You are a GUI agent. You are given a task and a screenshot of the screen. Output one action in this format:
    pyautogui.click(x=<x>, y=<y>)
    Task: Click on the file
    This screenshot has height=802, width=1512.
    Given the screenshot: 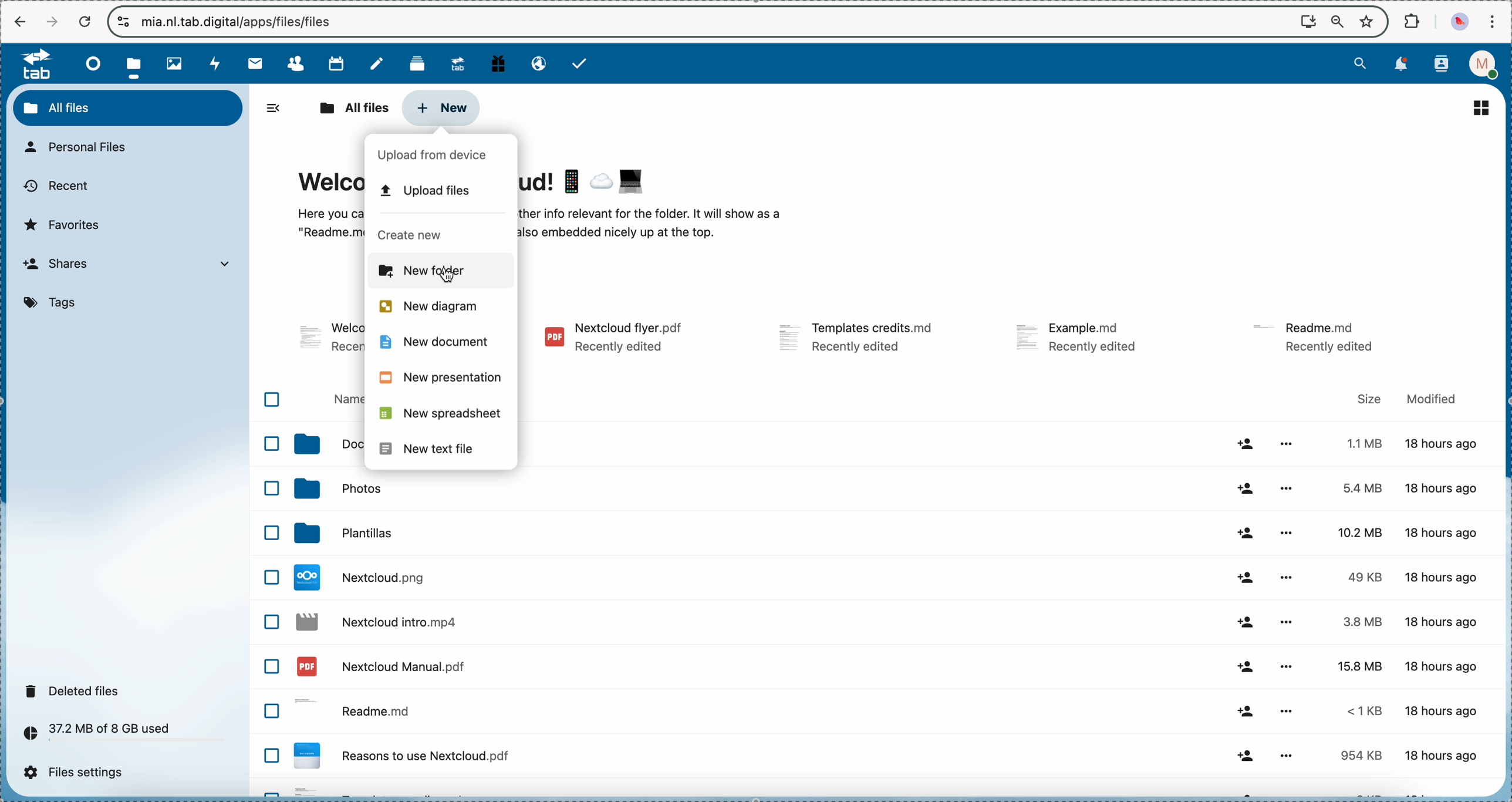 What is the action you would take?
    pyautogui.click(x=1082, y=340)
    